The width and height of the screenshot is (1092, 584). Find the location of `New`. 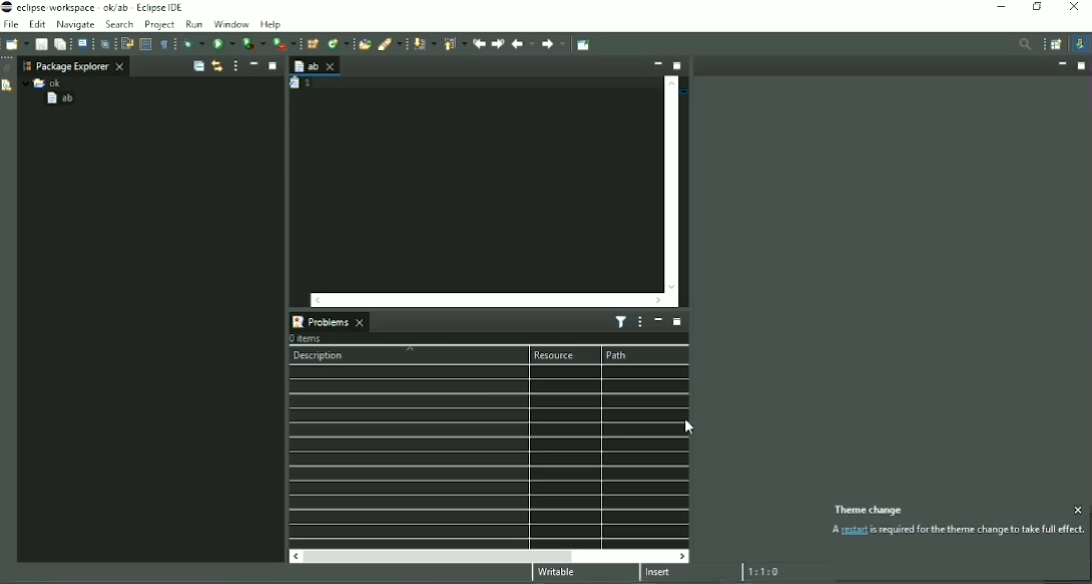

New is located at coordinates (15, 44).